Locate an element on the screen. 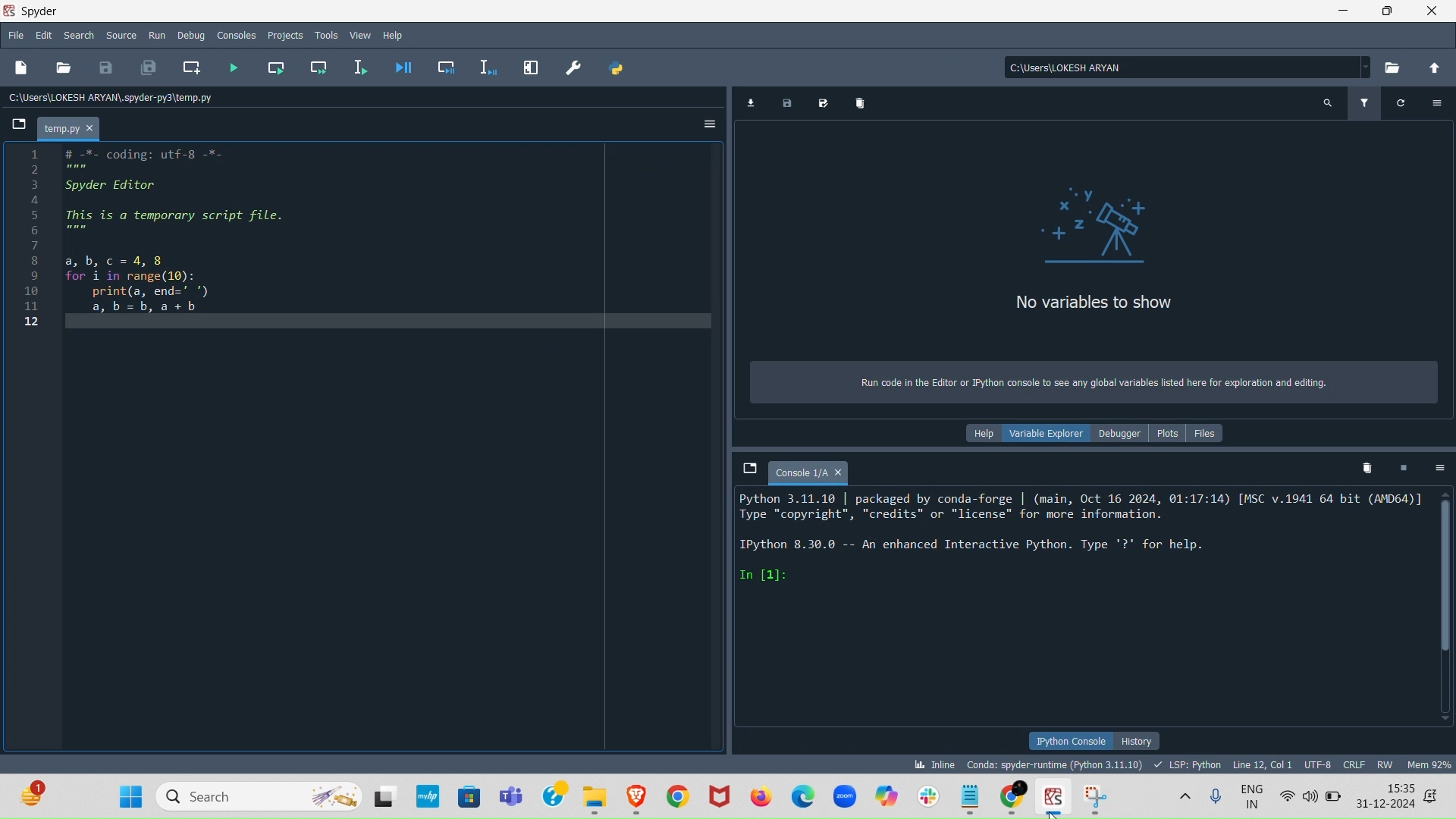  Browse a working directory is located at coordinates (1393, 67).